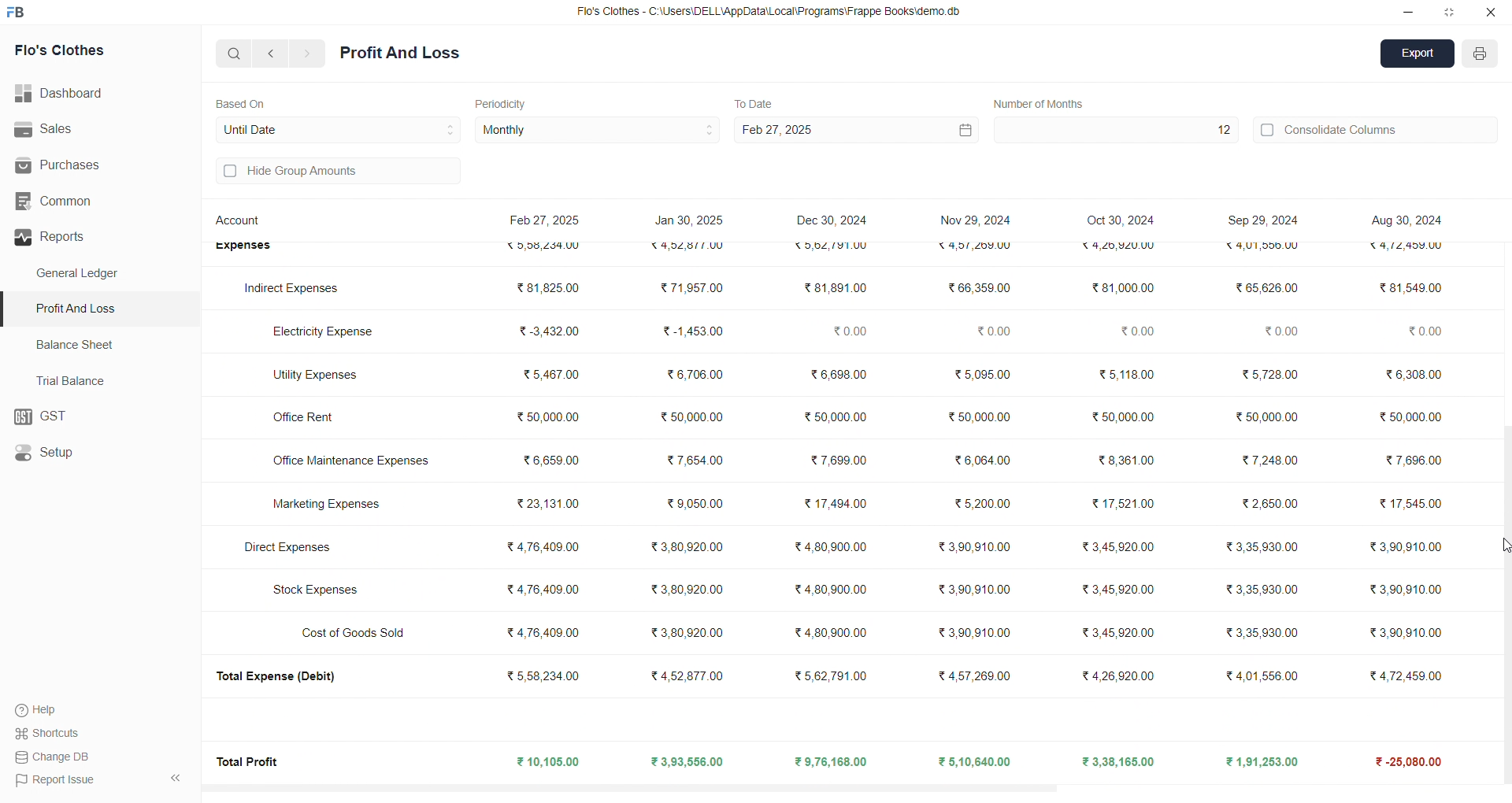  What do you see at coordinates (831, 416) in the screenshot?
I see `₹50,000.00` at bounding box center [831, 416].